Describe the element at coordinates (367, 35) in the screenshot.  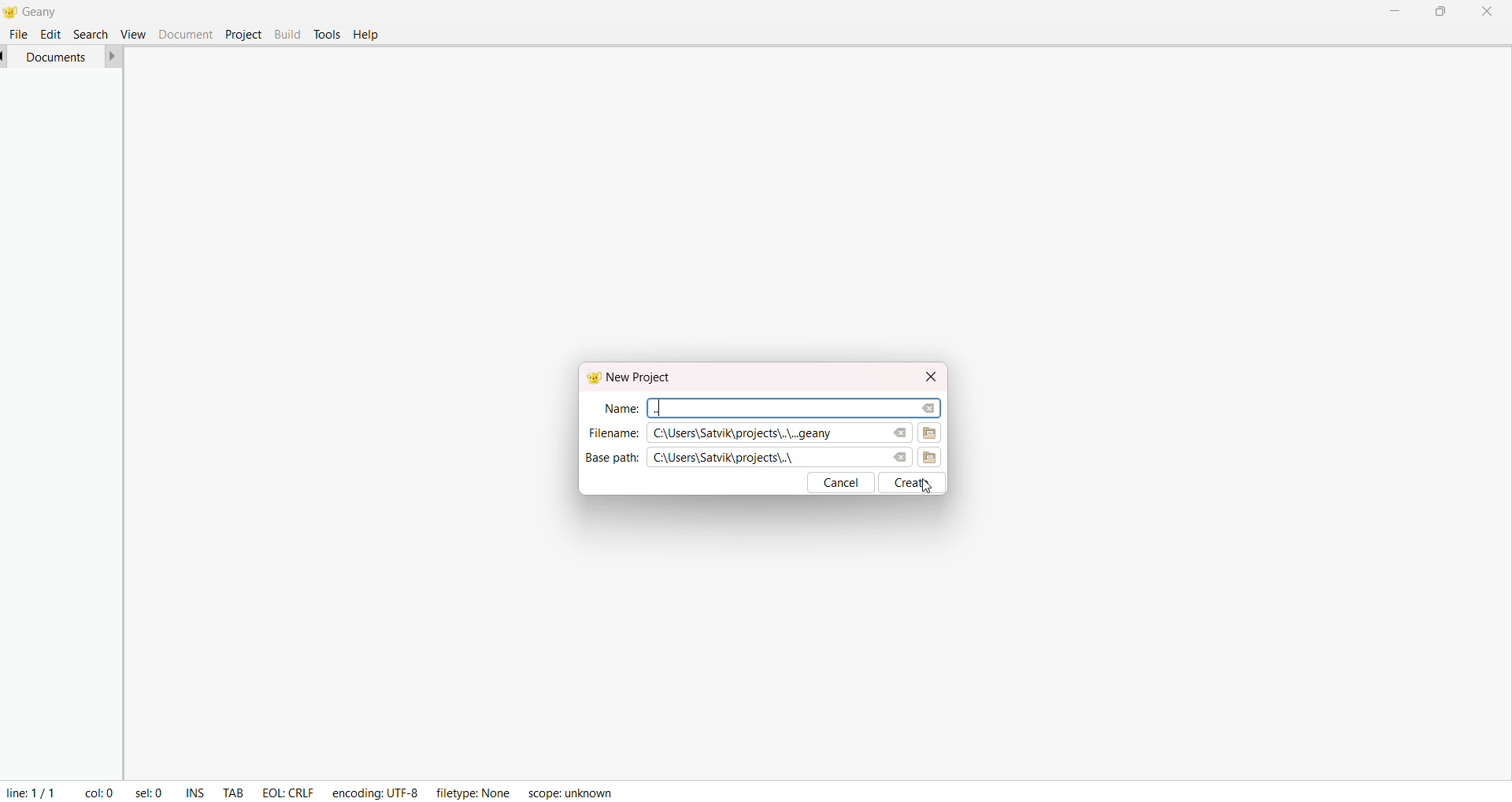
I see `help` at that location.